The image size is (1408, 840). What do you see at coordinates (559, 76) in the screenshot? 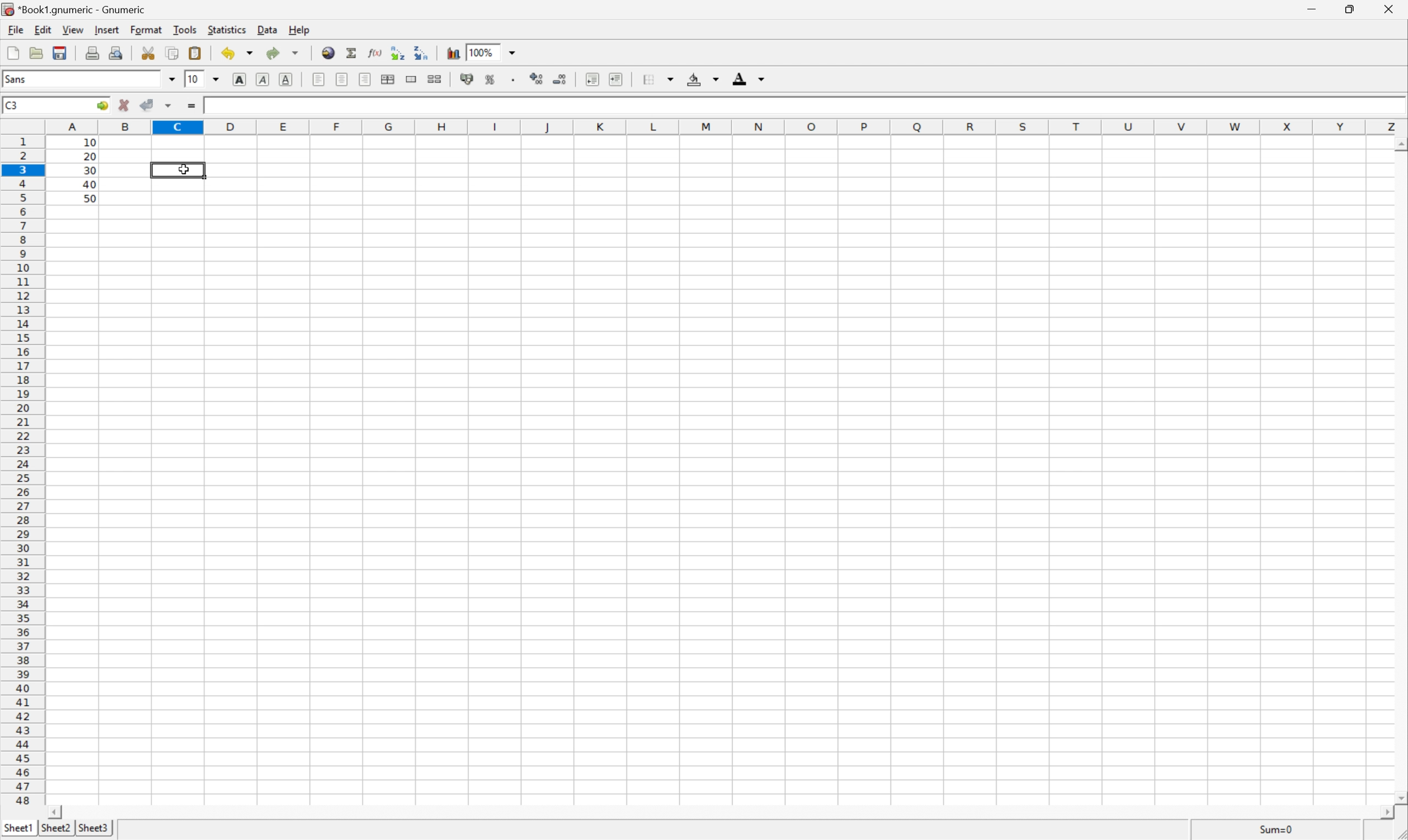
I see `Decrease the number of decimals displayed` at bounding box center [559, 76].